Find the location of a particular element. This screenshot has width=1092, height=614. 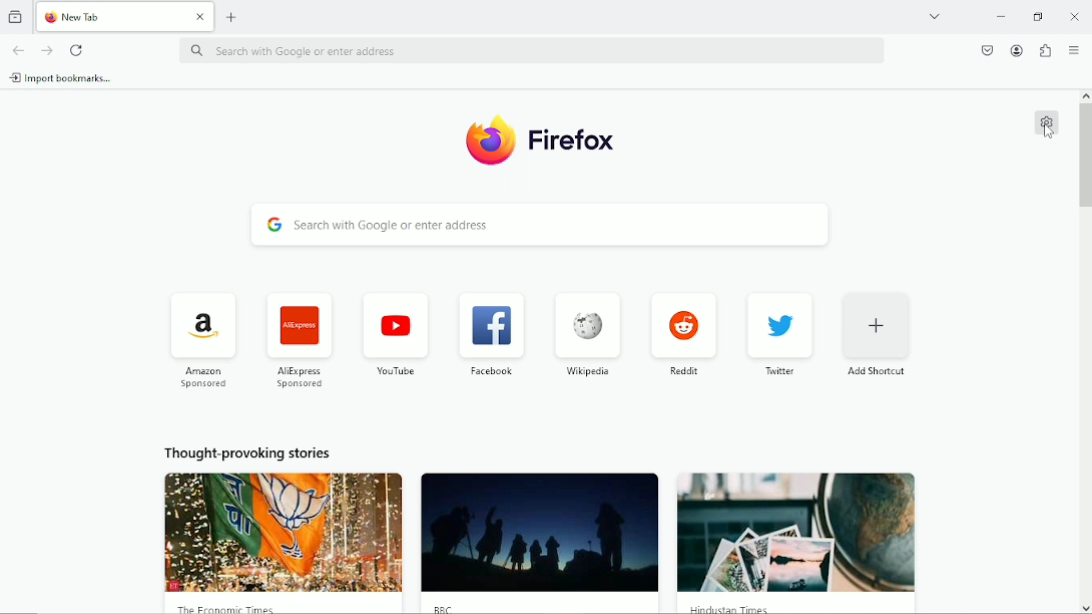

Logo is located at coordinates (488, 140).